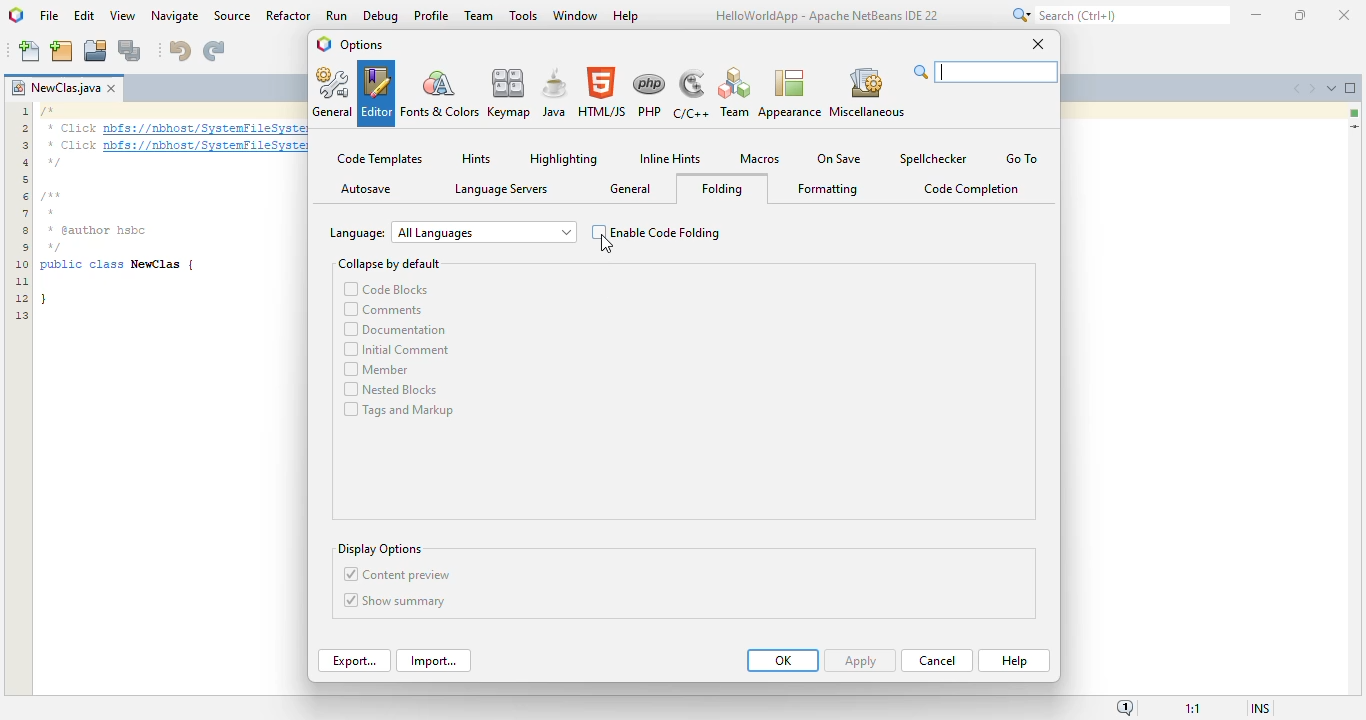  What do you see at coordinates (288, 15) in the screenshot?
I see `refactor` at bounding box center [288, 15].